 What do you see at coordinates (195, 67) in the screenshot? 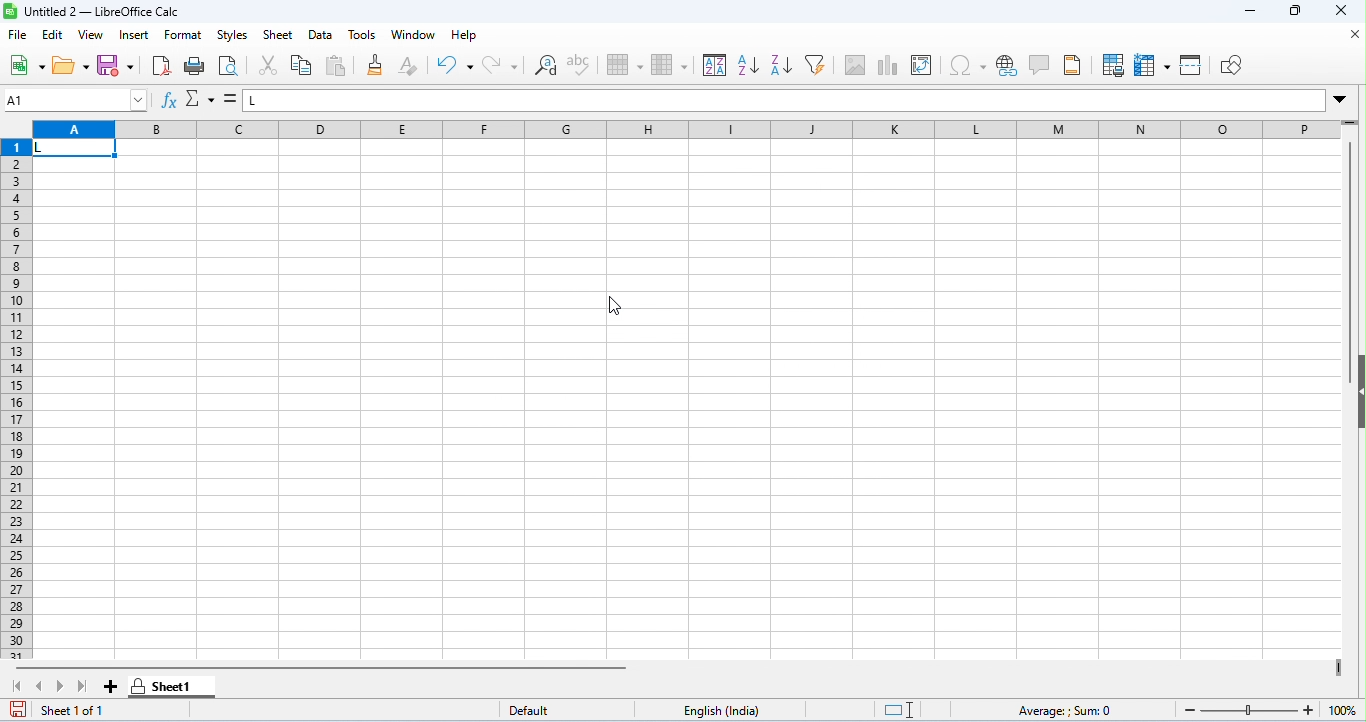
I see `print` at bounding box center [195, 67].